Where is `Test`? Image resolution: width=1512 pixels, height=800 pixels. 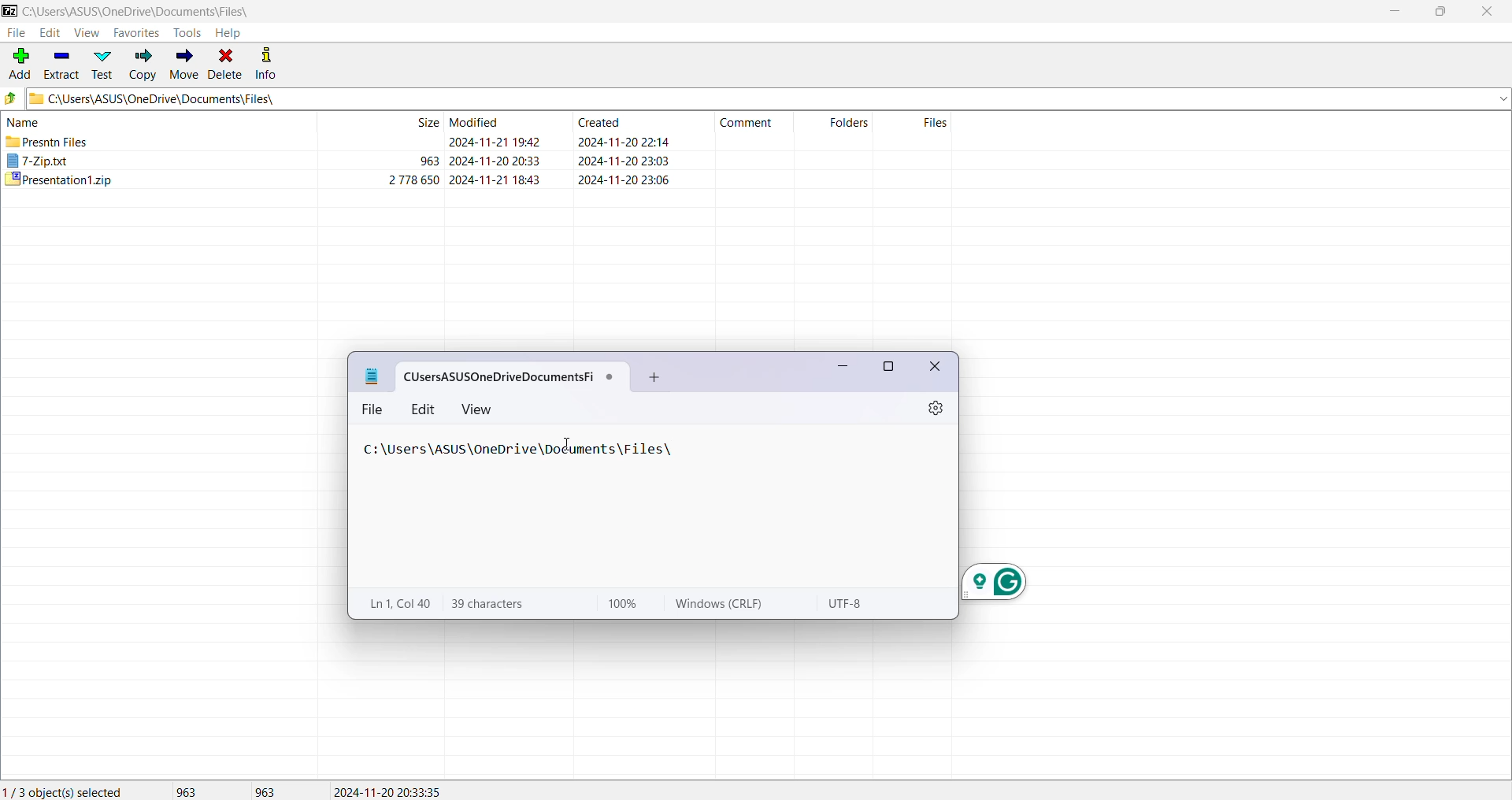 Test is located at coordinates (101, 65).